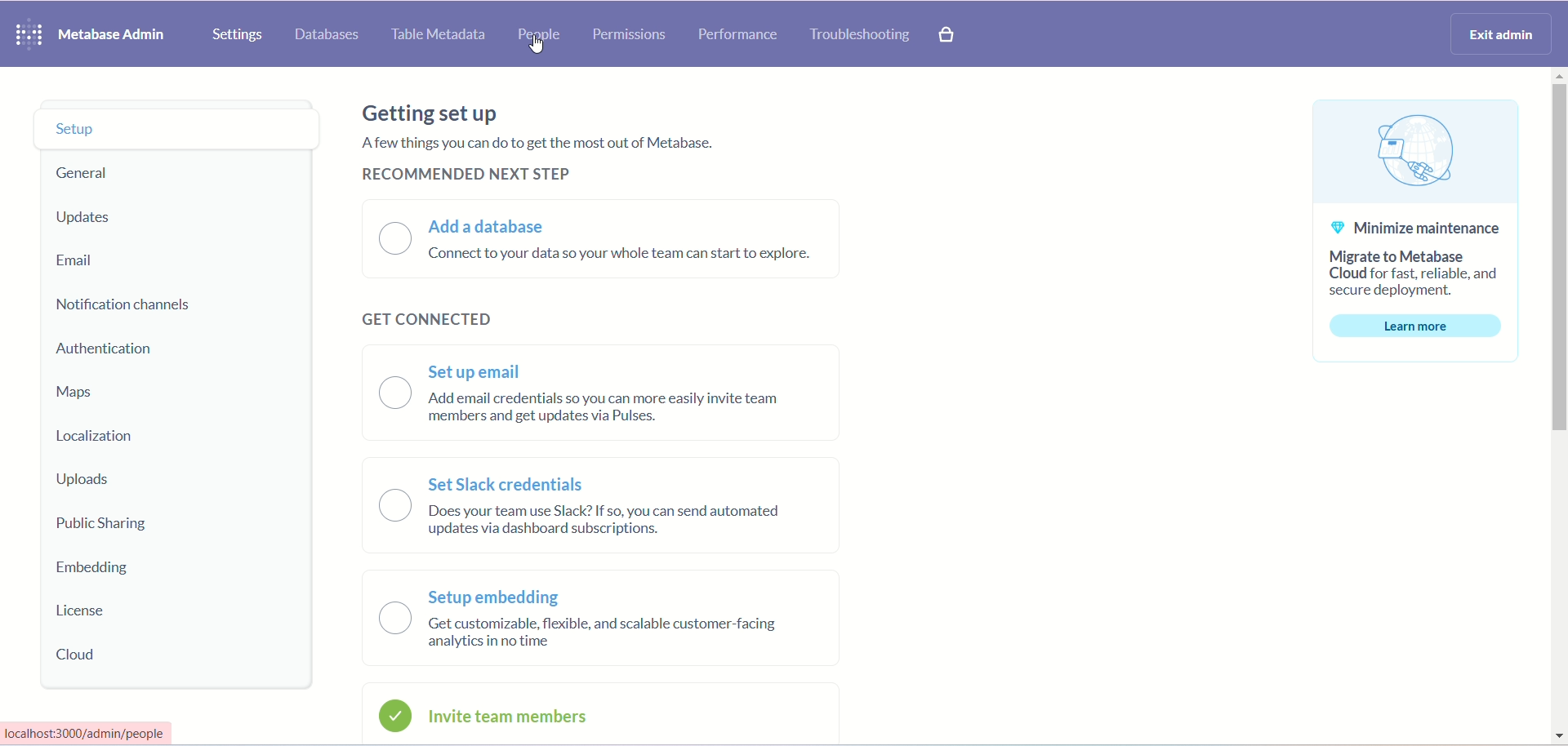 This screenshot has height=746, width=1568. What do you see at coordinates (236, 35) in the screenshot?
I see `settings` at bounding box center [236, 35].